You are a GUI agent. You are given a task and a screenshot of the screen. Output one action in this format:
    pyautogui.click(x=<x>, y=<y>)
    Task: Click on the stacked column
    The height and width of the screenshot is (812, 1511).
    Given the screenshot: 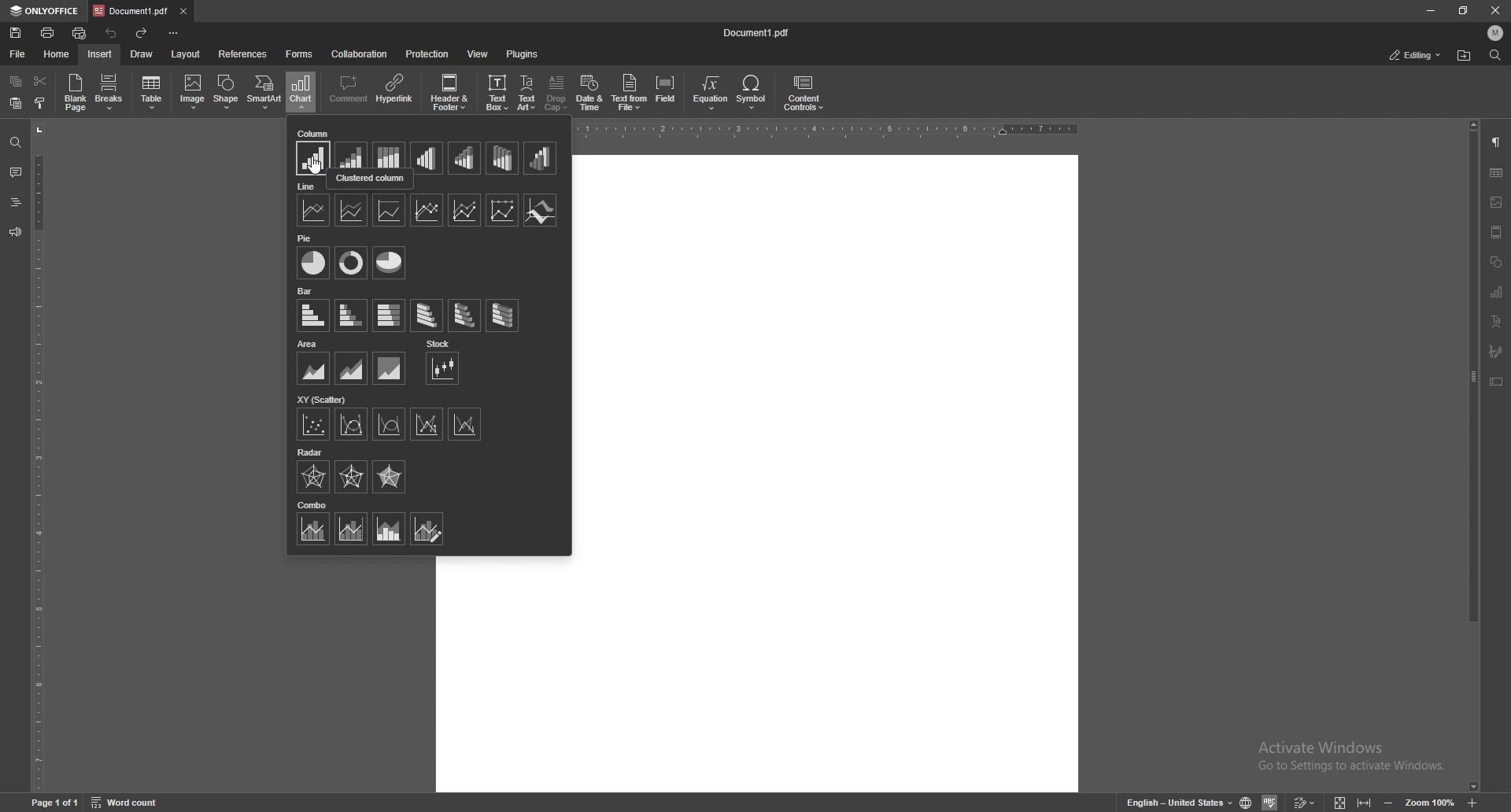 What is the action you would take?
    pyautogui.click(x=351, y=154)
    